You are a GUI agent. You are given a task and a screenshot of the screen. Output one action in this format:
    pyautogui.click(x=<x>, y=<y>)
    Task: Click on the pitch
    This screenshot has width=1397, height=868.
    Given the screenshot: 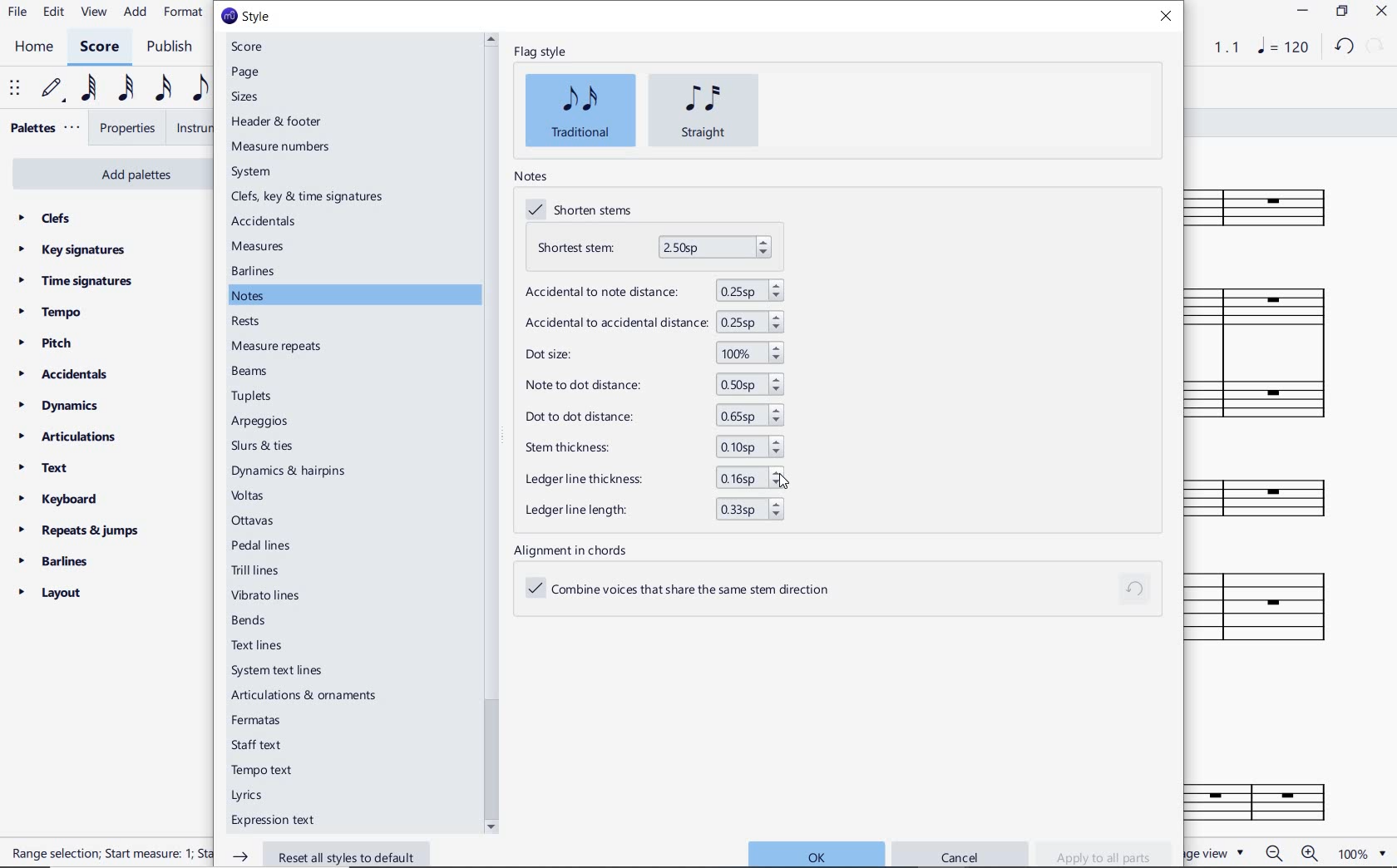 What is the action you would take?
    pyautogui.click(x=46, y=344)
    